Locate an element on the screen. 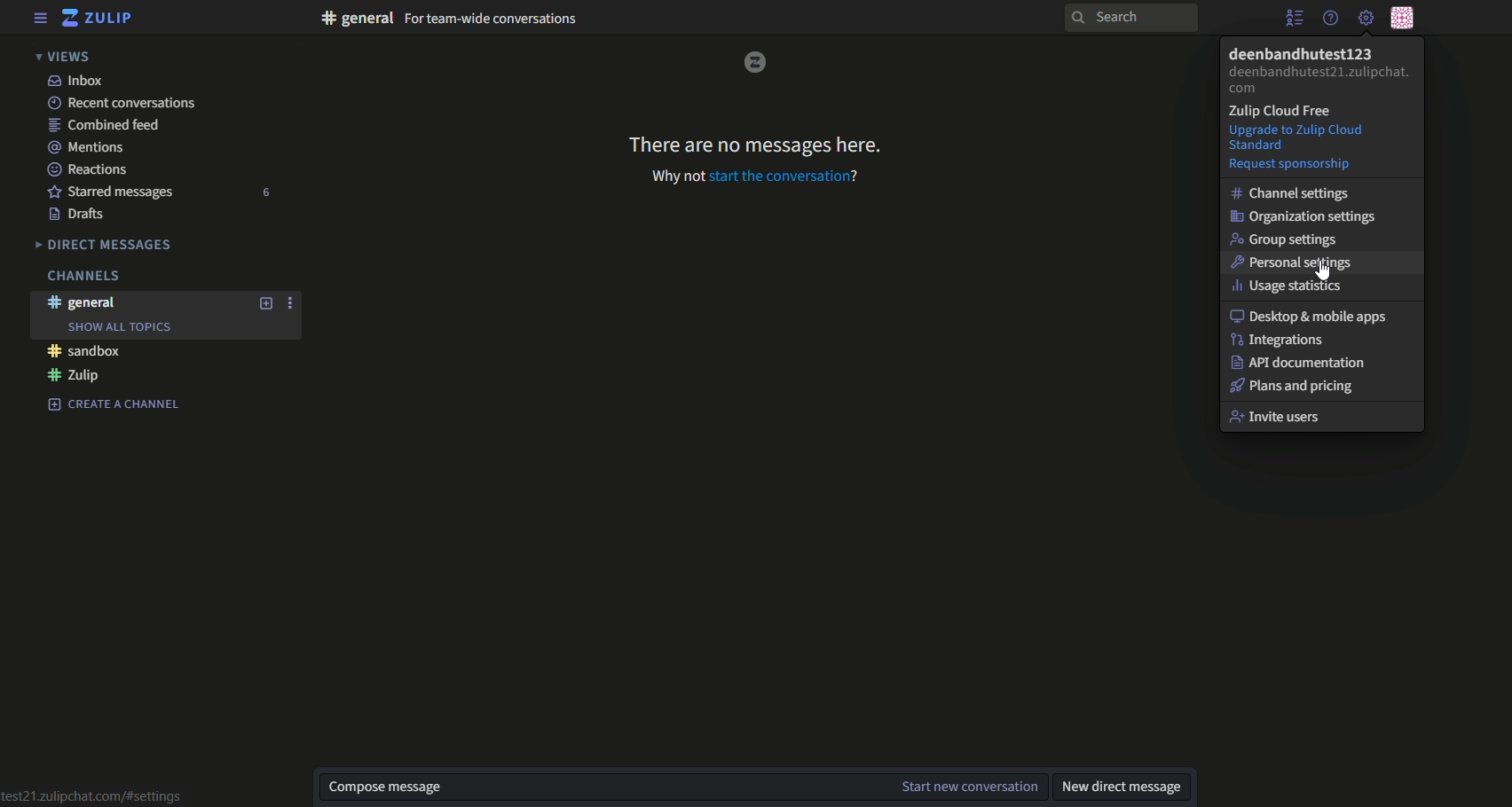 The width and height of the screenshot is (1512, 807). number is located at coordinates (270, 192).